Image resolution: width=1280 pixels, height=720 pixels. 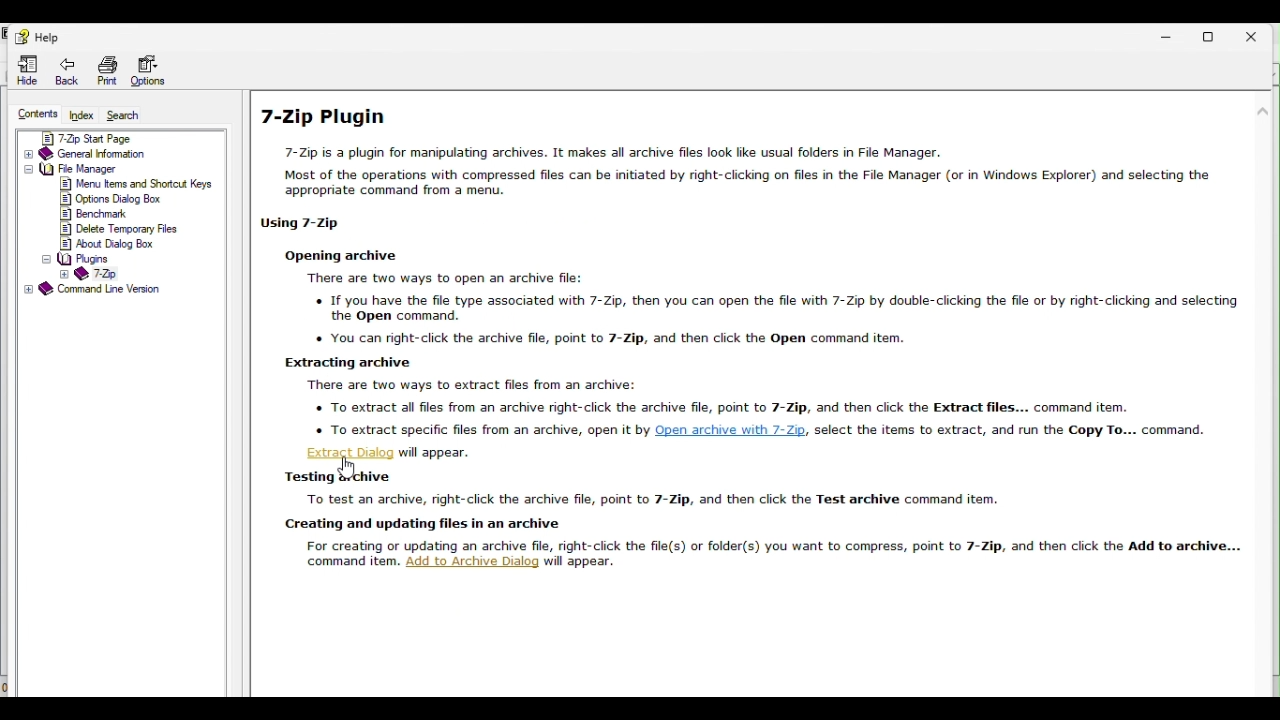 What do you see at coordinates (92, 290) in the screenshot?
I see `Command Line Version` at bounding box center [92, 290].